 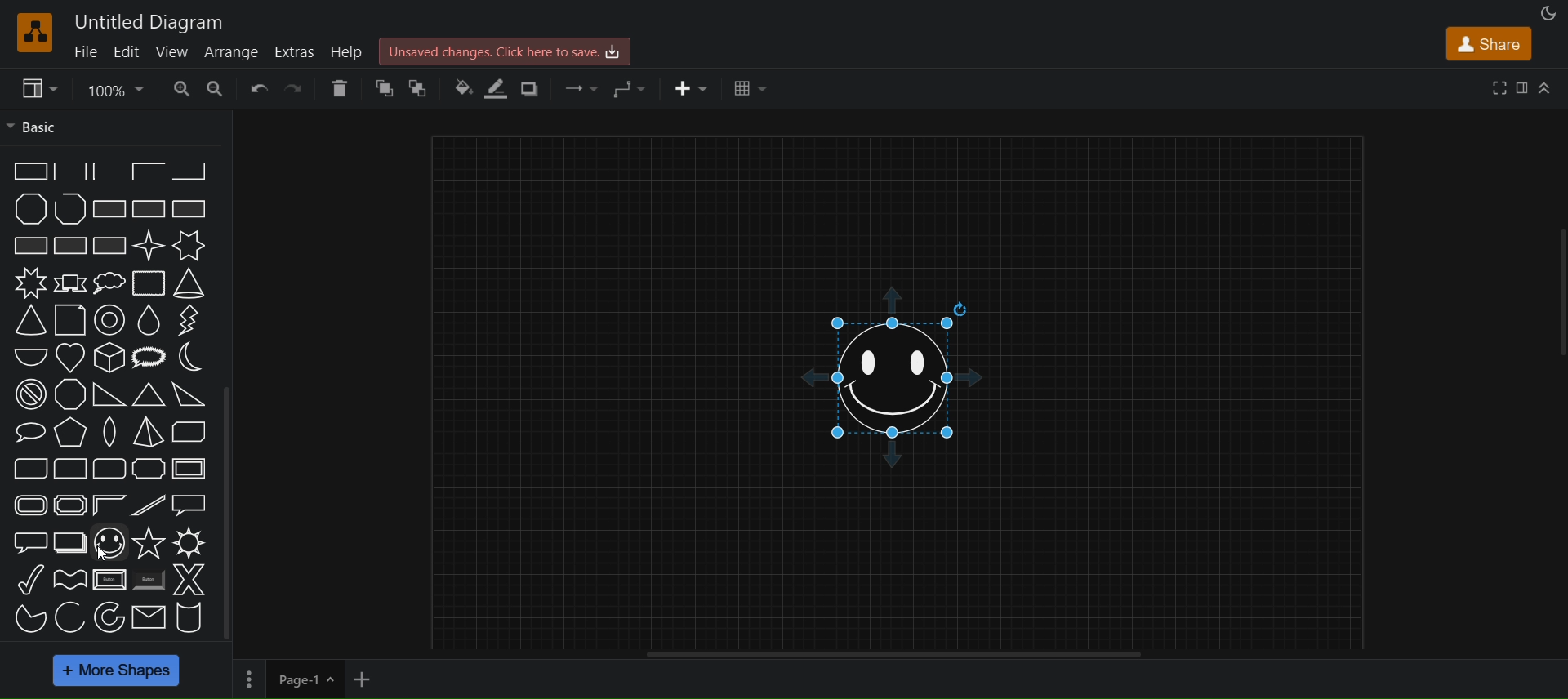 What do you see at coordinates (149, 468) in the screenshot?
I see `plaque` at bounding box center [149, 468].